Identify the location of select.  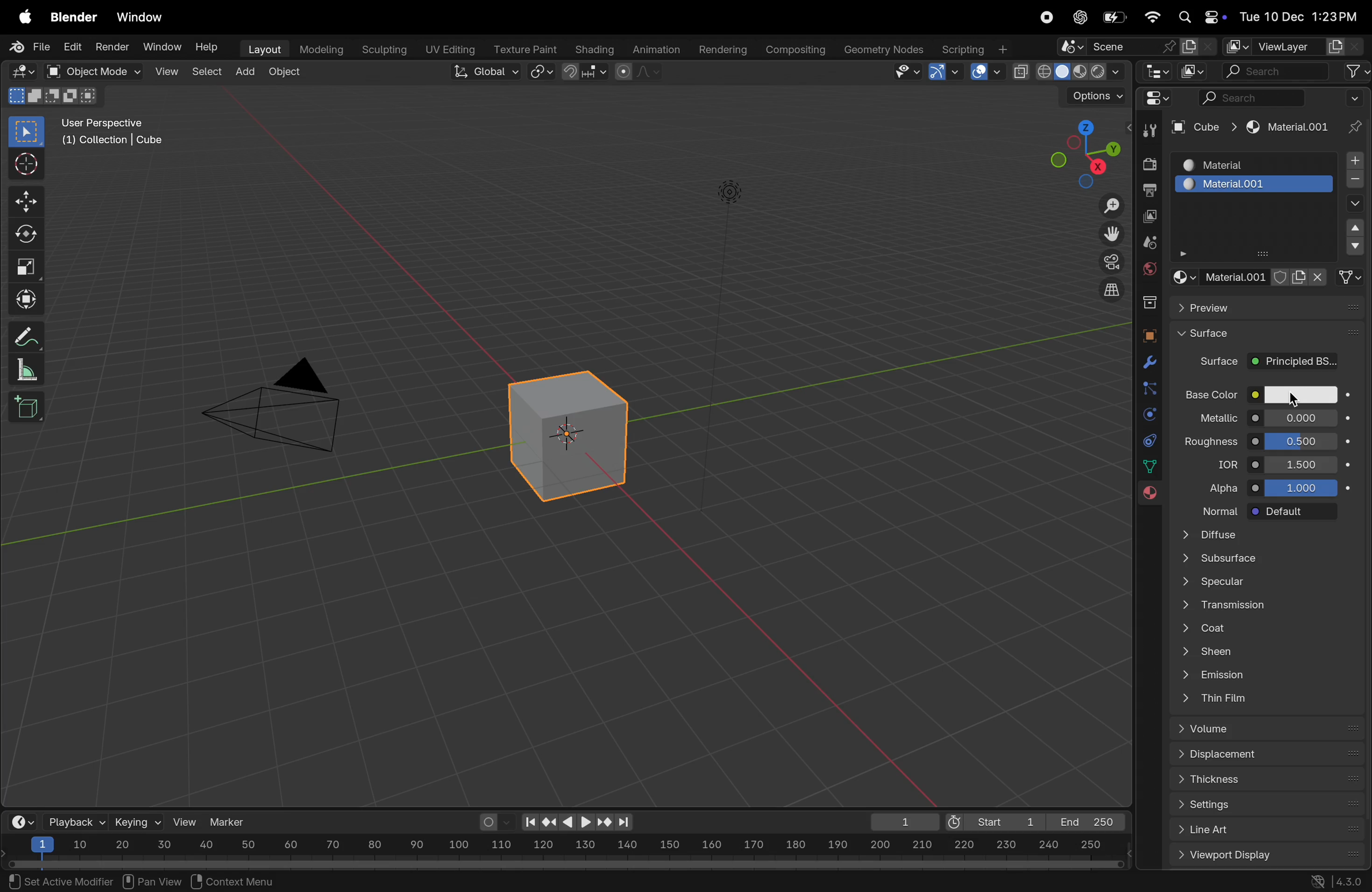
(28, 132).